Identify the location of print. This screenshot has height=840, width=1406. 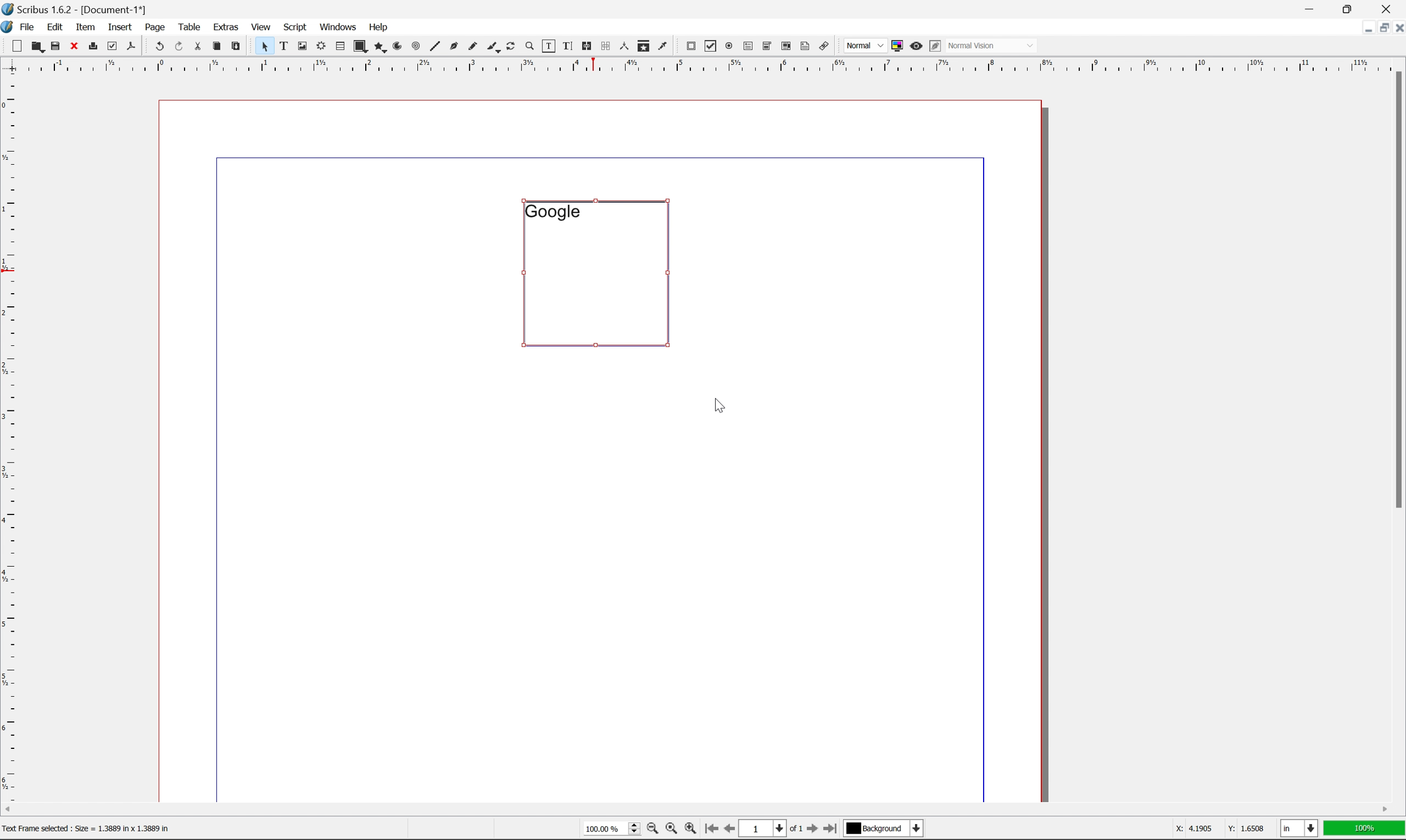
(92, 47).